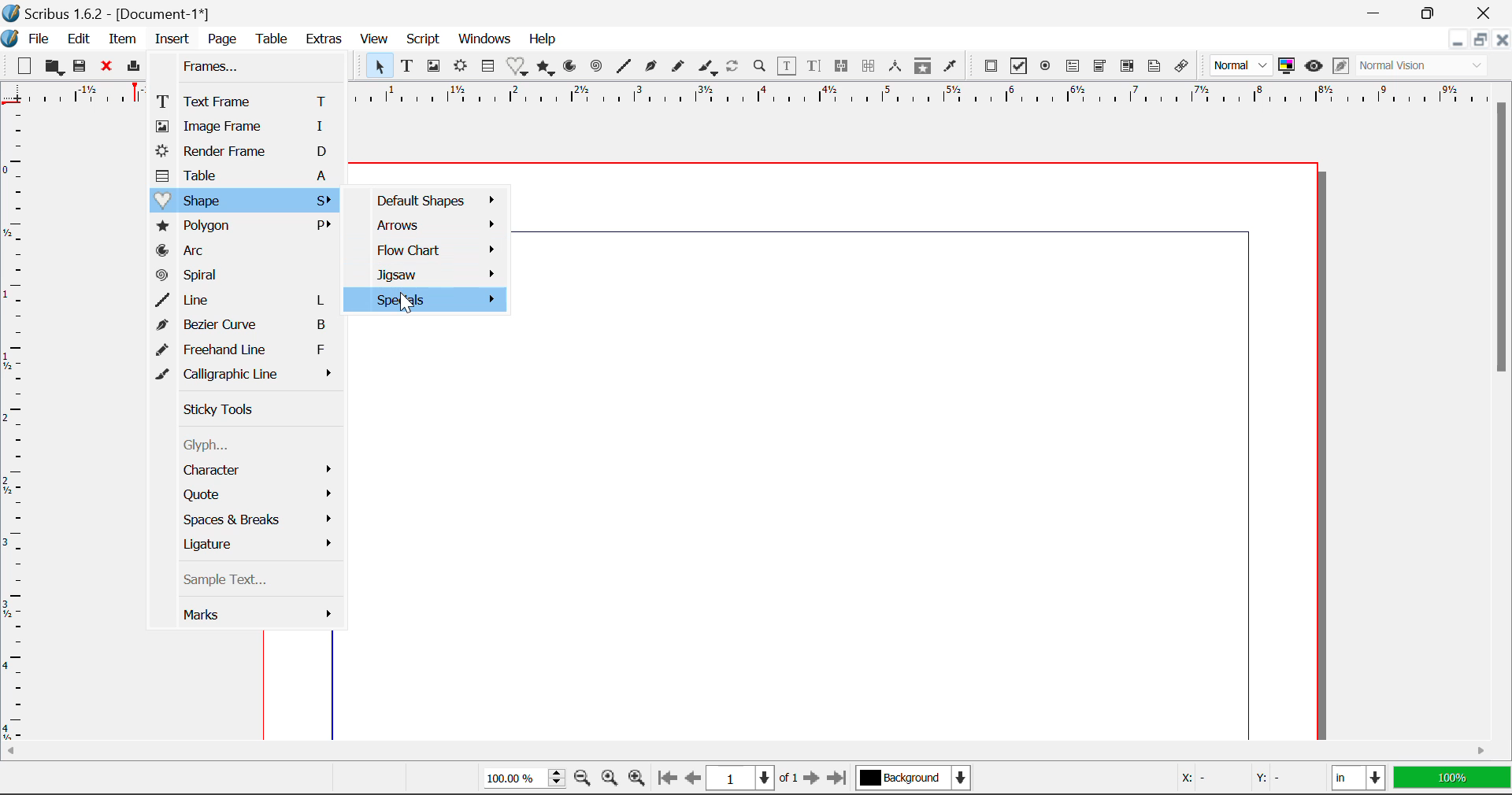  I want to click on Freehand Line, so click(247, 352).